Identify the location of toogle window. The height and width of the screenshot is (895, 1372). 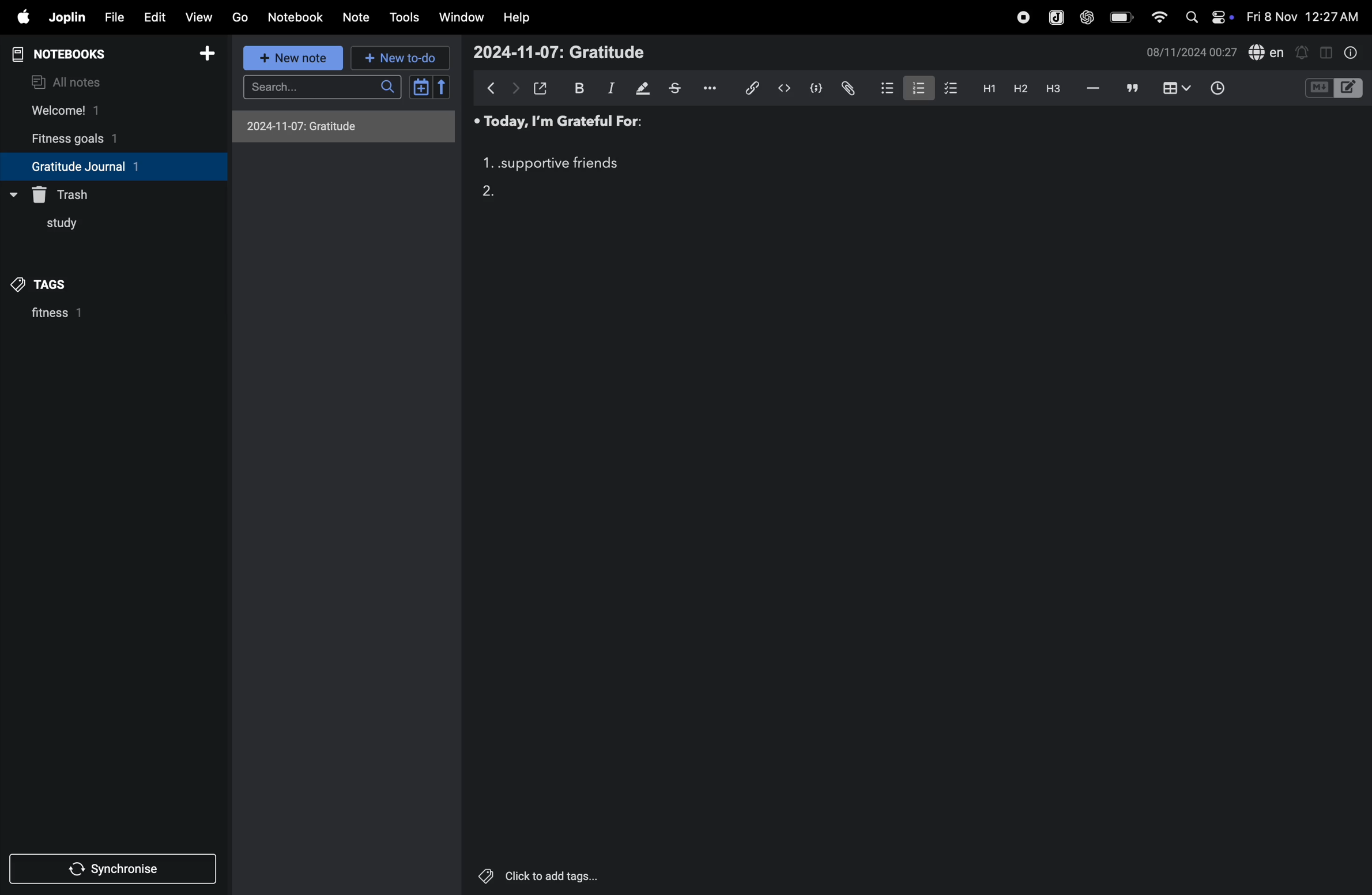
(1326, 51).